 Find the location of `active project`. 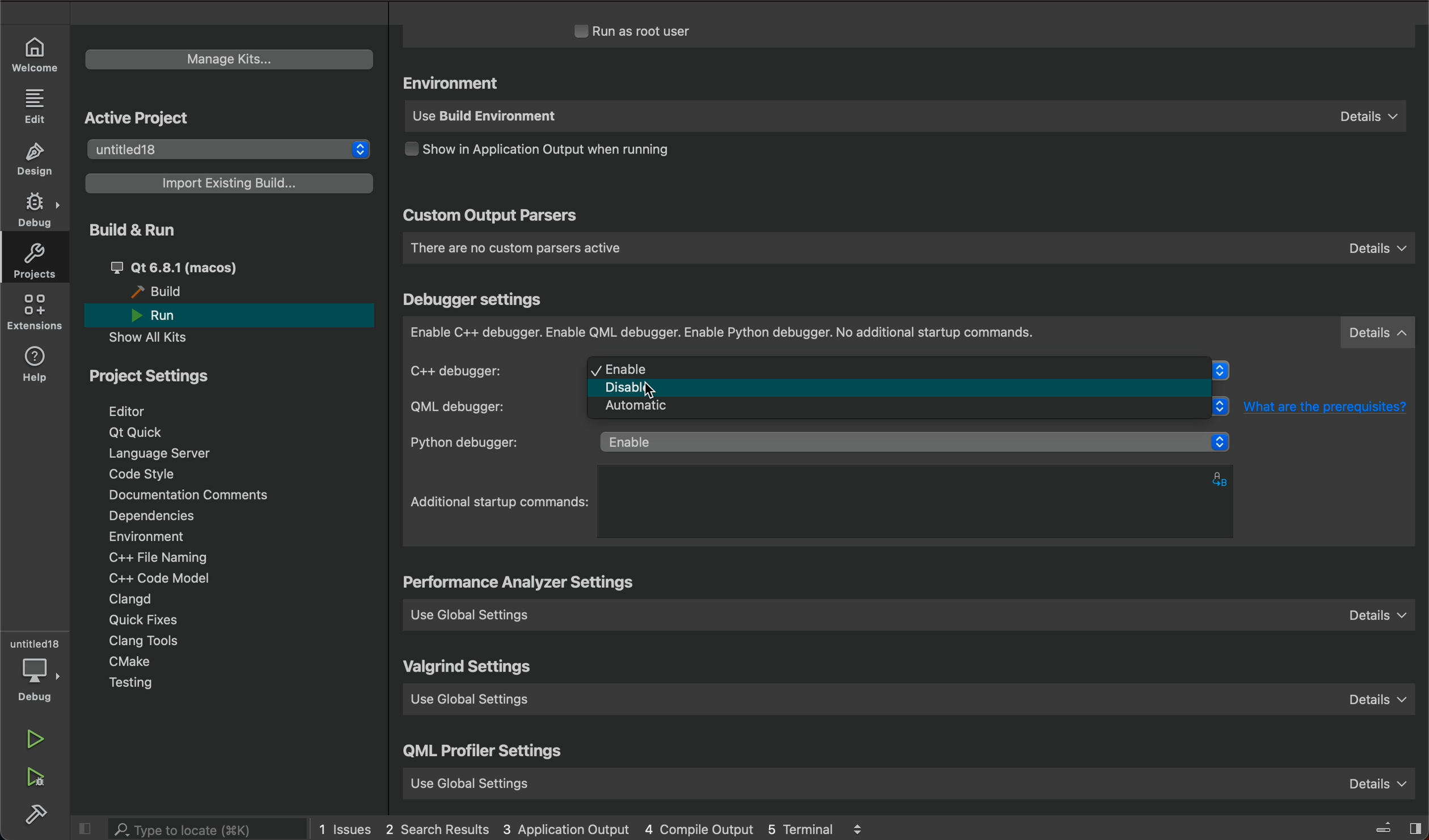

active project is located at coordinates (137, 118).